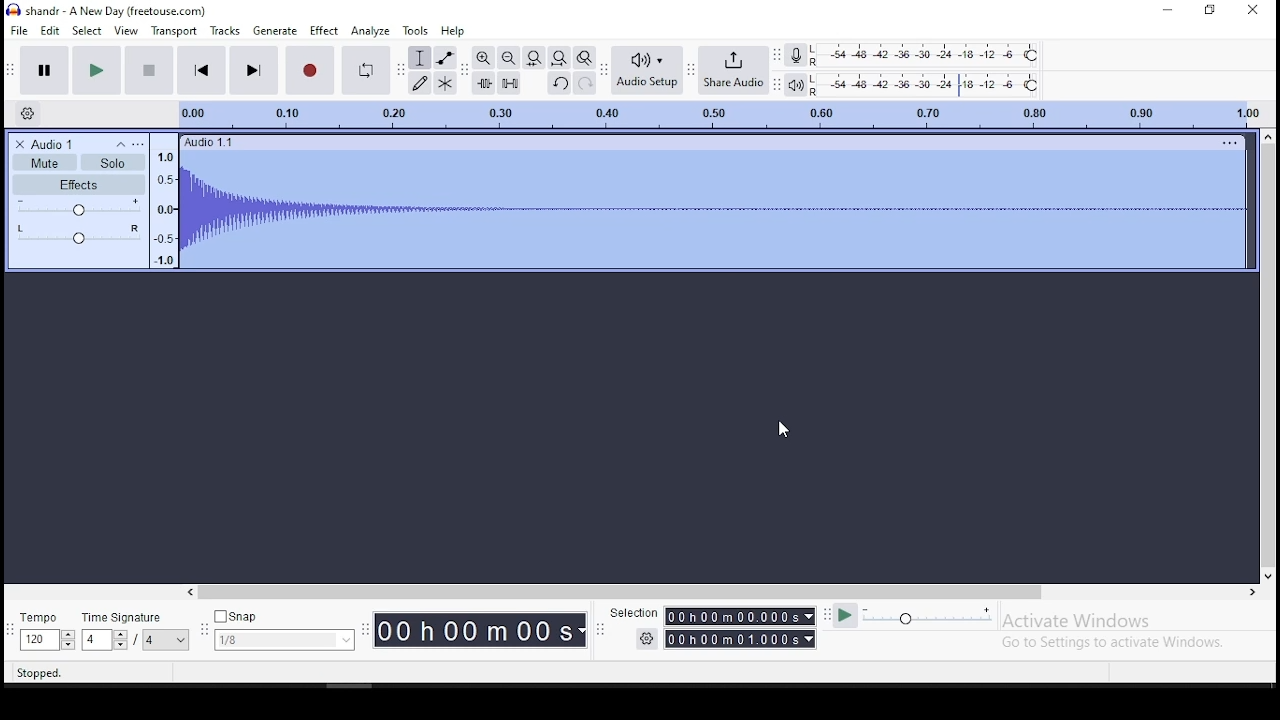 The image size is (1280, 720). Describe the element at coordinates (928, 83) in the screenshot. I see `playback level` at that location.